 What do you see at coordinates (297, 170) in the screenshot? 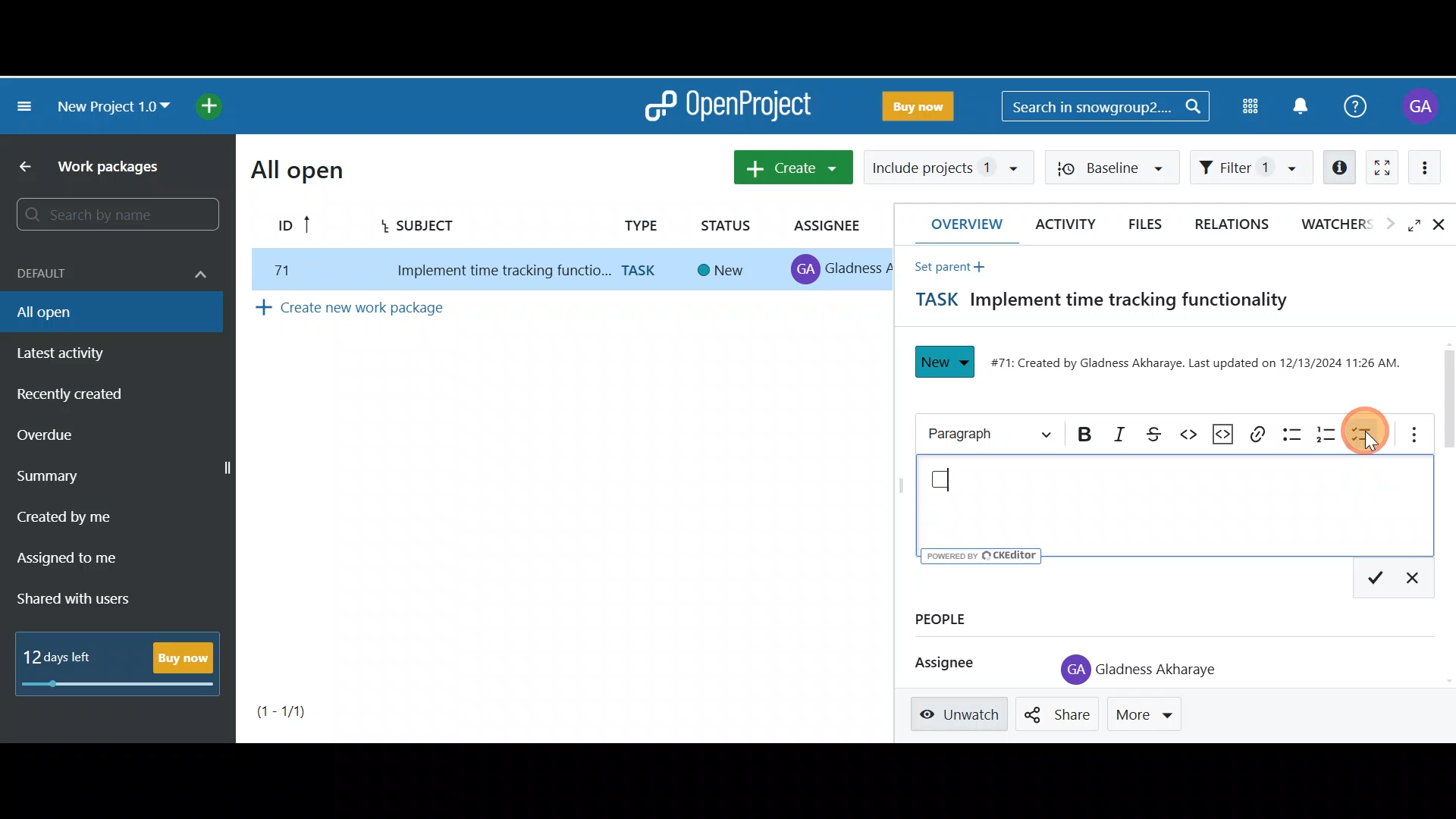
I see `All open` at bounding box center [297, 170].